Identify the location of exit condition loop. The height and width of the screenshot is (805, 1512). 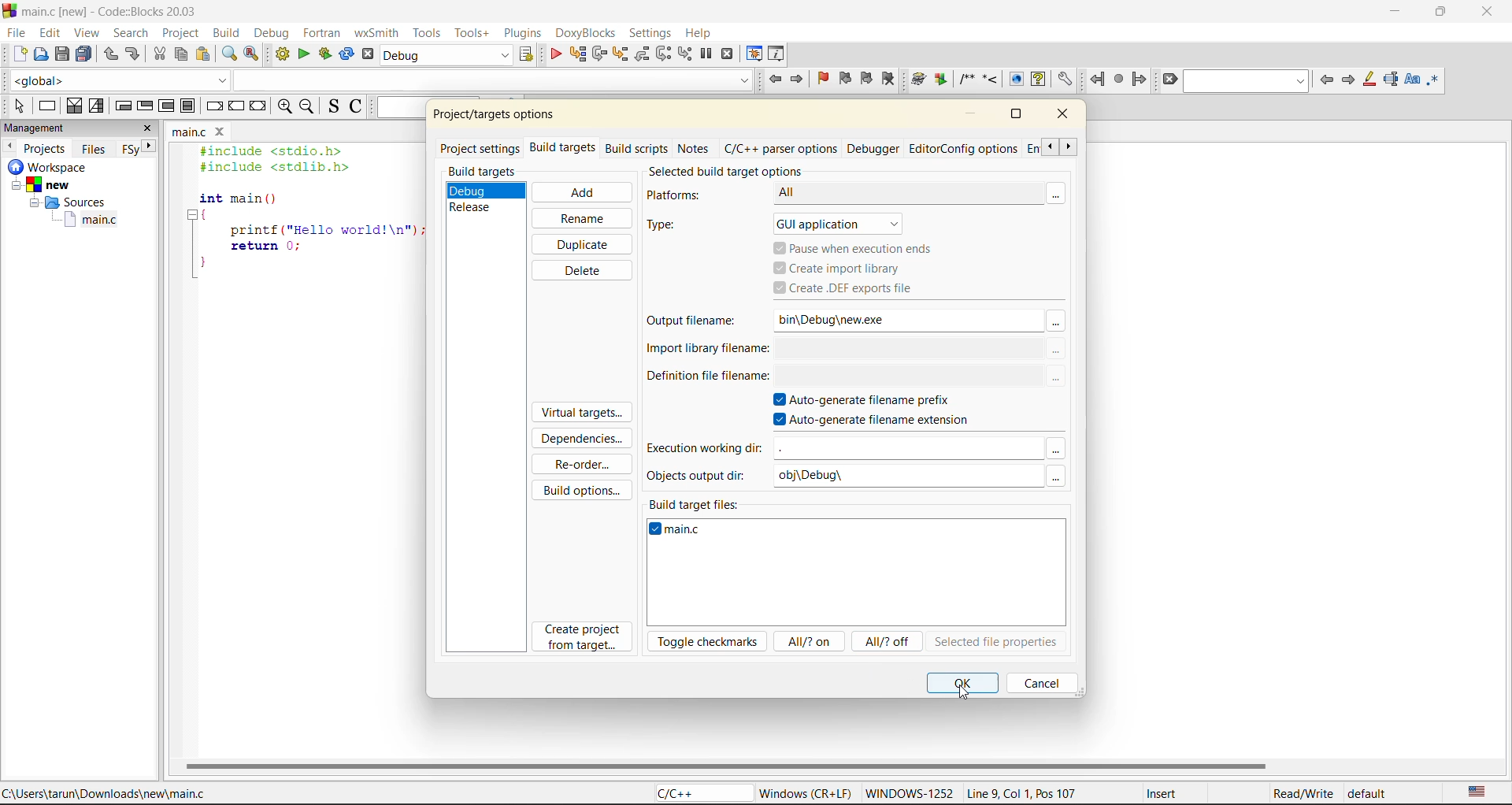
(146, 106).